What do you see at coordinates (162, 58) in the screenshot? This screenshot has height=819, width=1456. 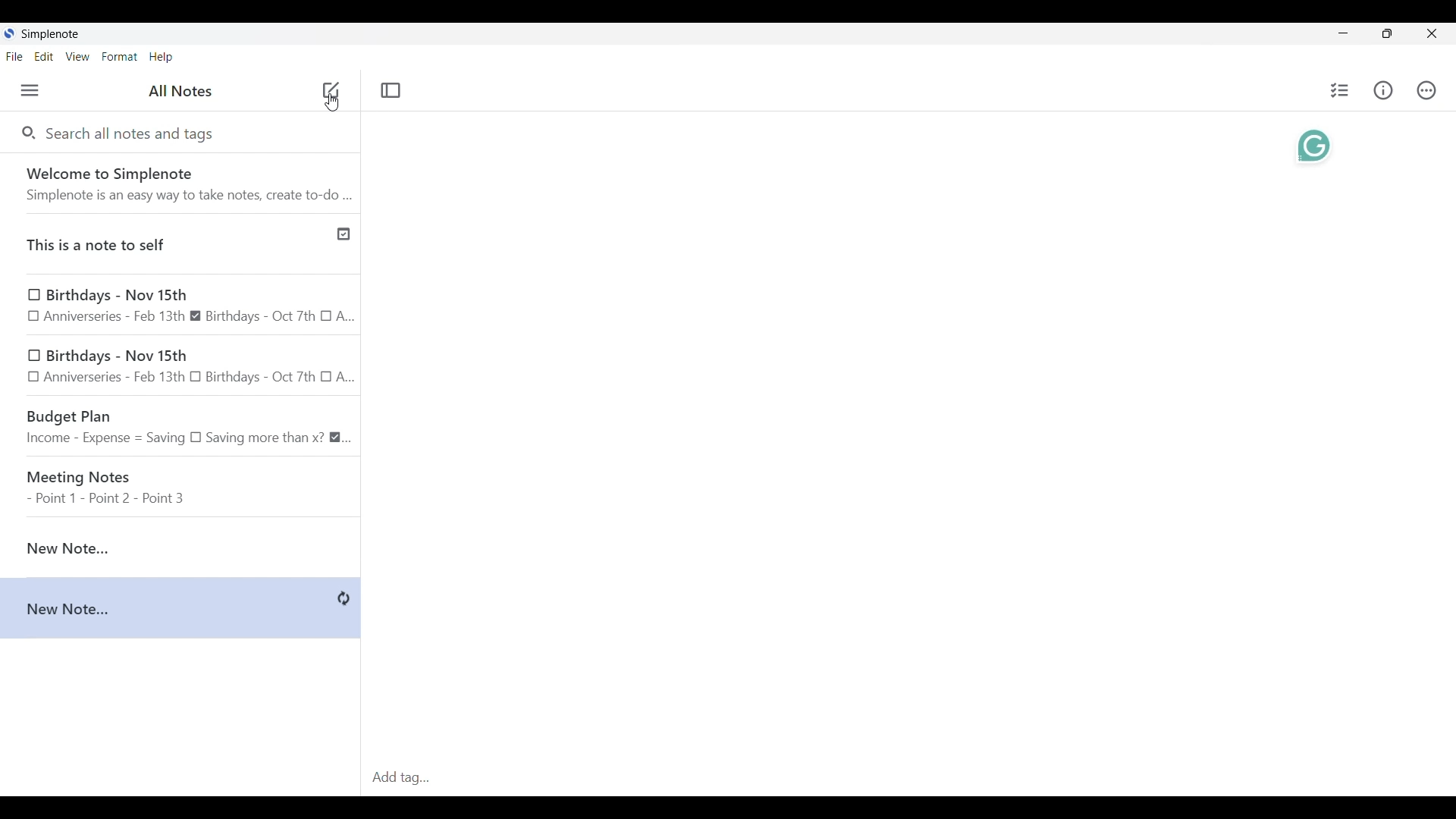 I see `Help menu` at bounding box center [162, 58].